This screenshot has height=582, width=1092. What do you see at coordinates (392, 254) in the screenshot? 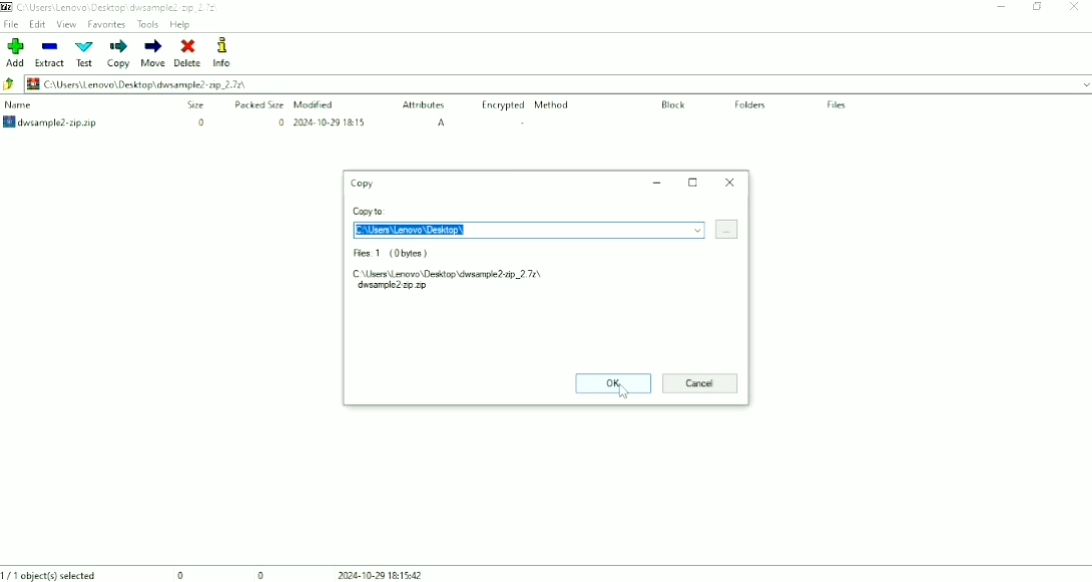
I see `Files 1 (0 bytes)` at bounding box center [392, 254].